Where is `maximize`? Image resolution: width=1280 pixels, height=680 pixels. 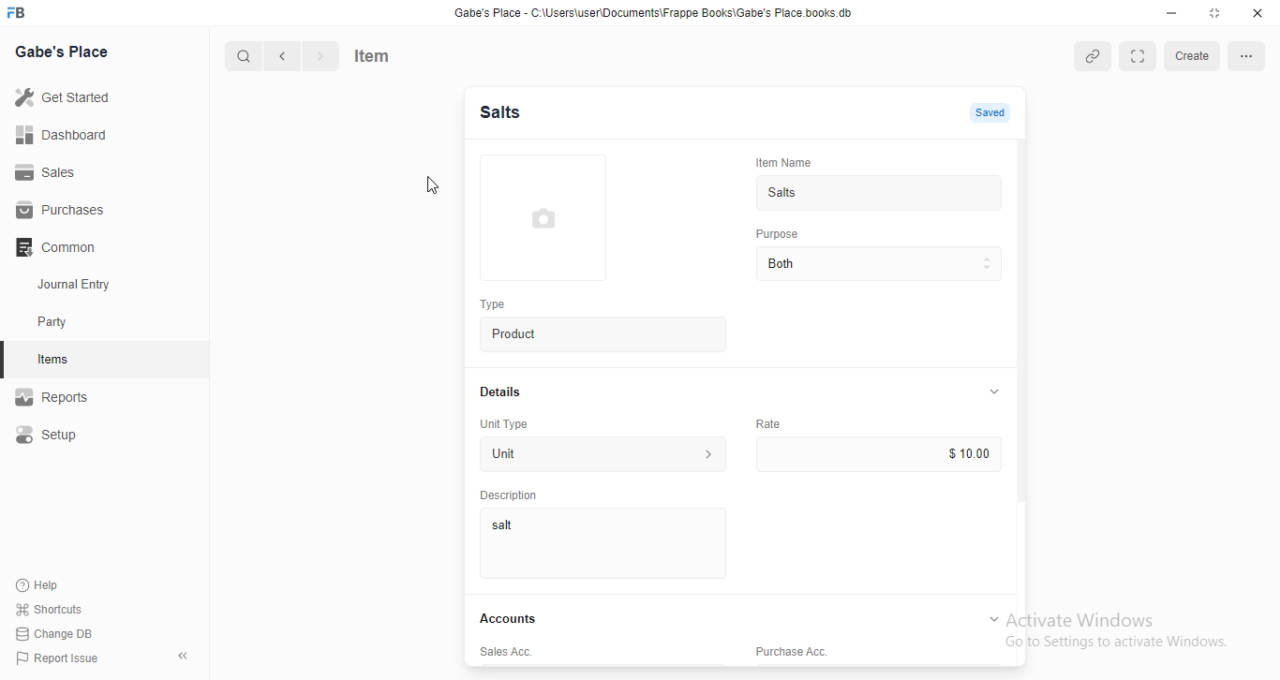
maximize is located at coordinates (1217, 14).